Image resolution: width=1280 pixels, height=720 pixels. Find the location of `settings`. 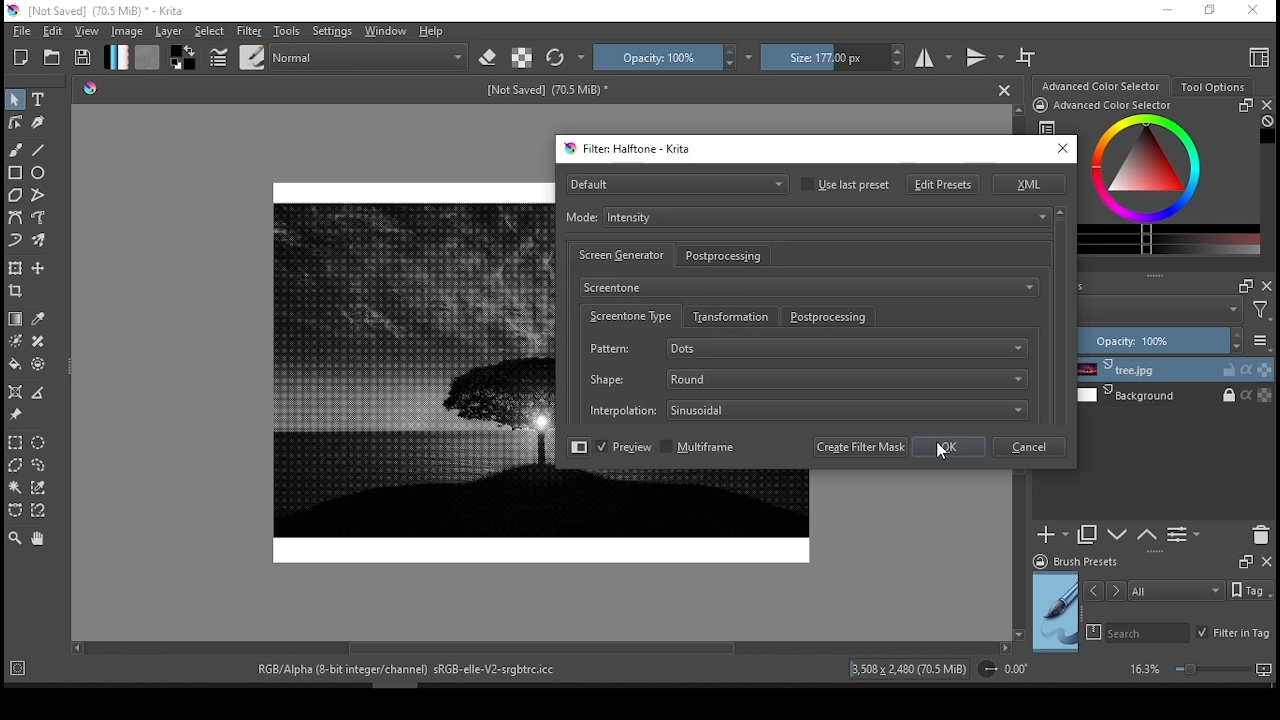

settings is located at coordinates (332, 32).